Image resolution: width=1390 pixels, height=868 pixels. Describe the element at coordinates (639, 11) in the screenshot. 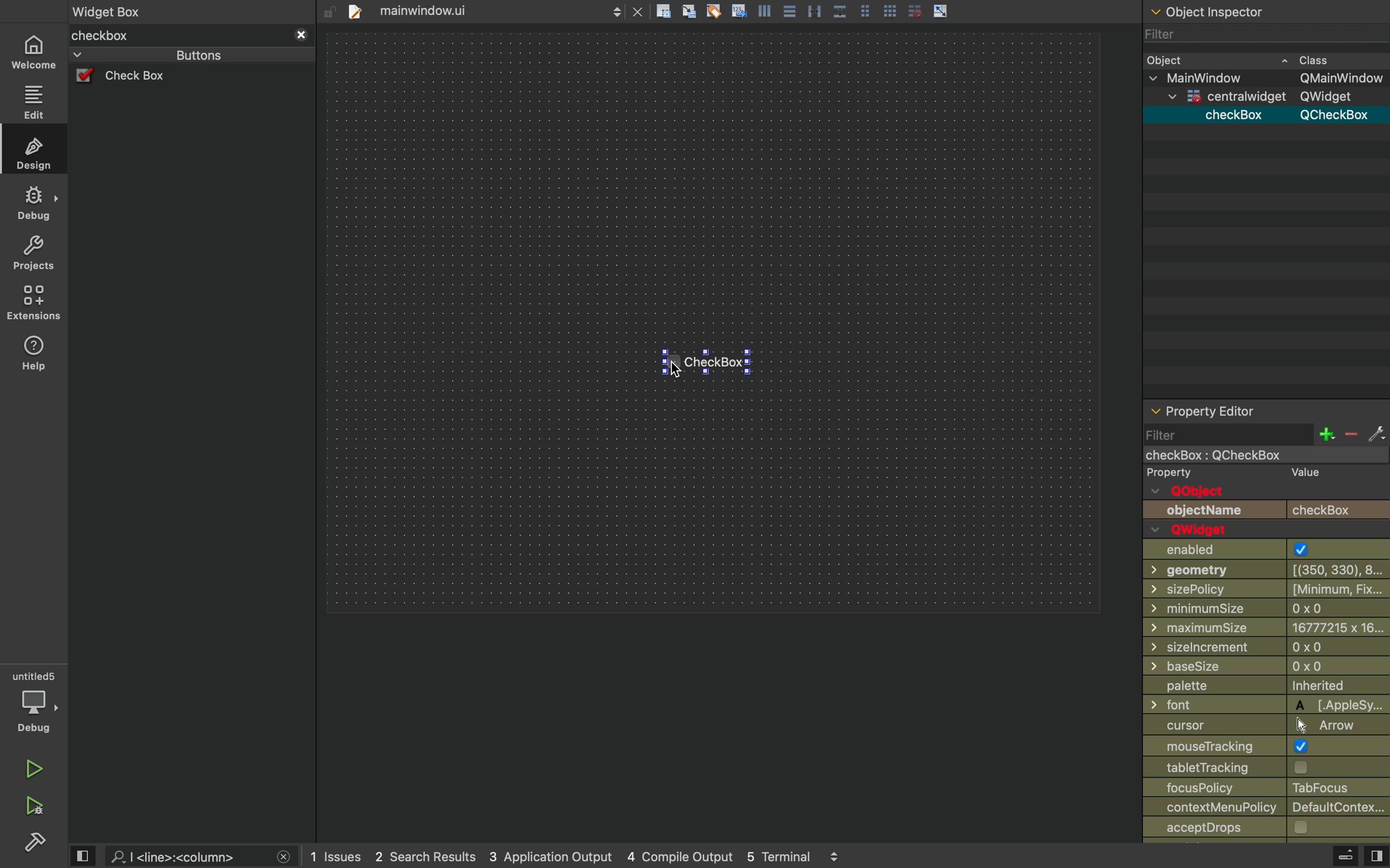

I see `close` at that location.